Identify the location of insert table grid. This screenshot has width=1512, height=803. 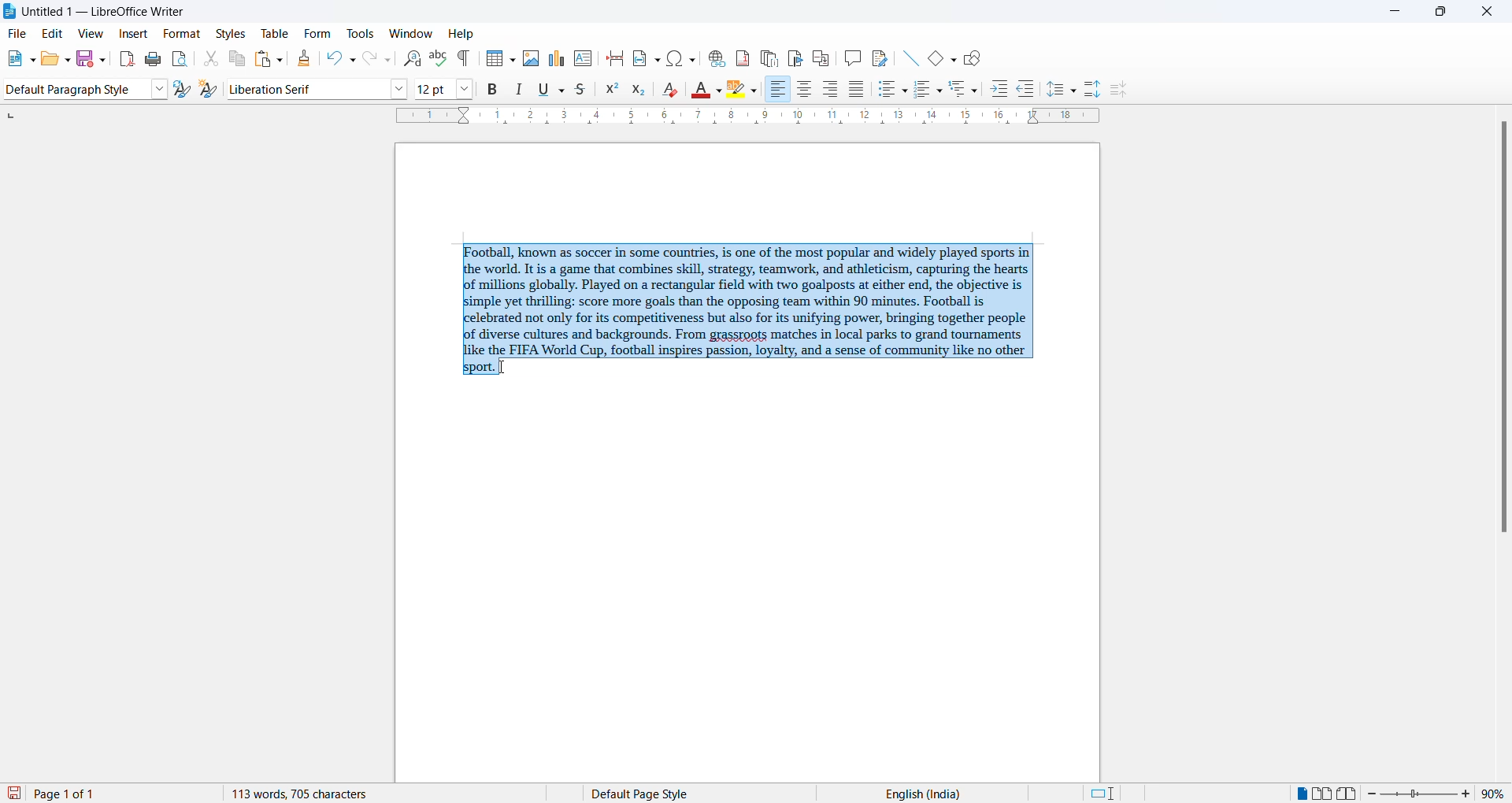
(512, 58).